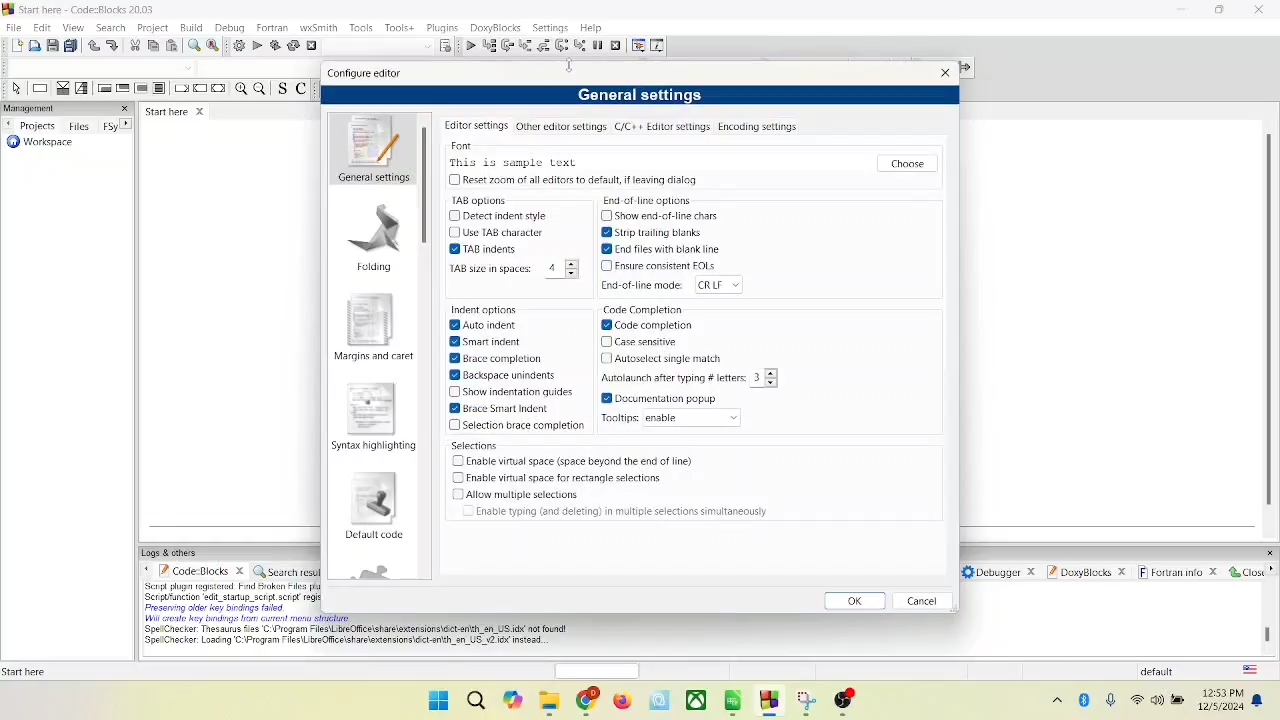  I want to click on close, so click(1264, 9).